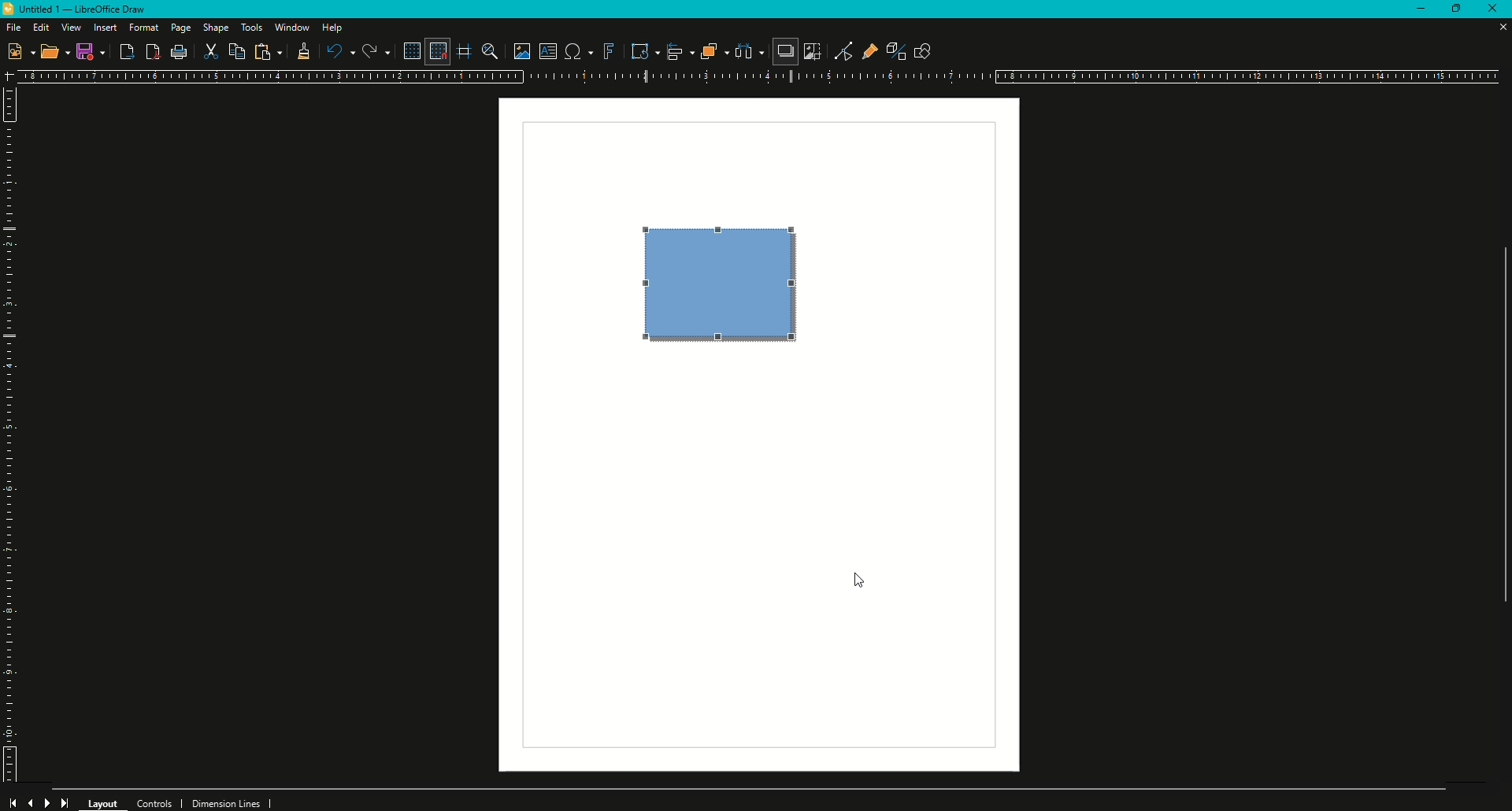 Image resolution: width=1512 pixels, height=811 pixels. What do you see at coordinates (375, 51) in the screenshot?
I see `Redo` at bounding box center [375, 51].